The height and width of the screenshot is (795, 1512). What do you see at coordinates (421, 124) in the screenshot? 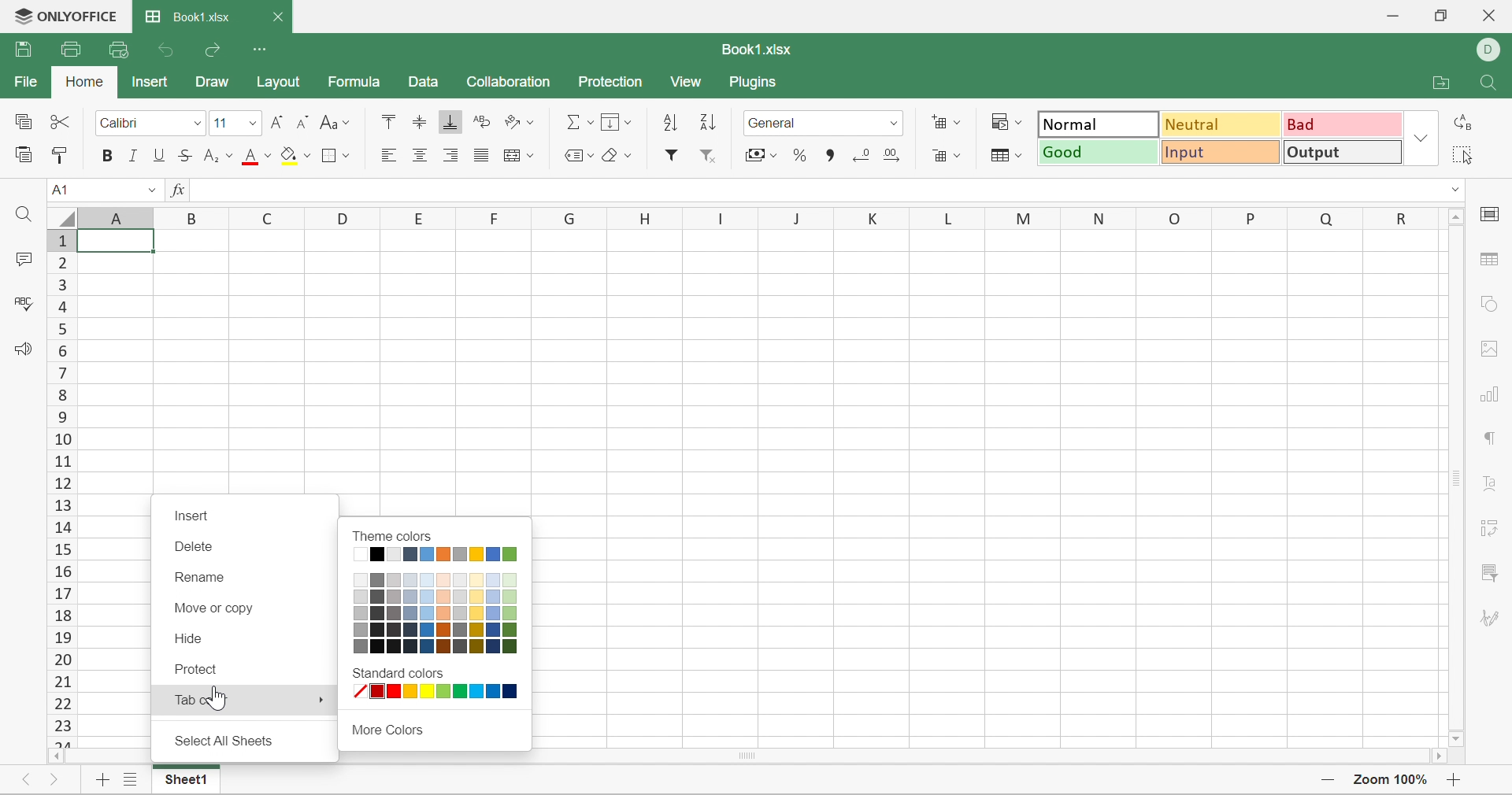
I see `Align Middle` at bounding box center [421, 124].